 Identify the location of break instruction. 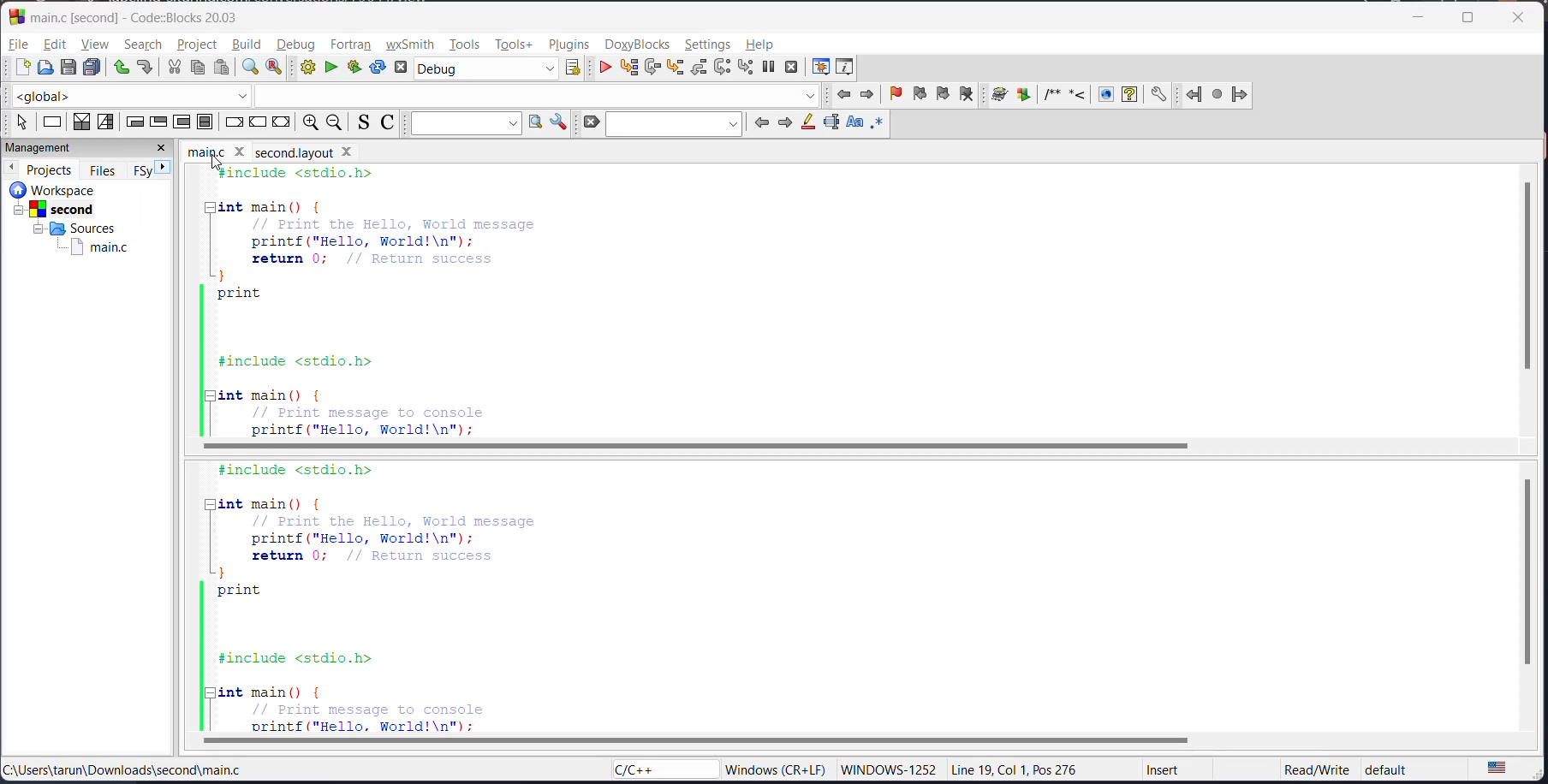
(233, 122).